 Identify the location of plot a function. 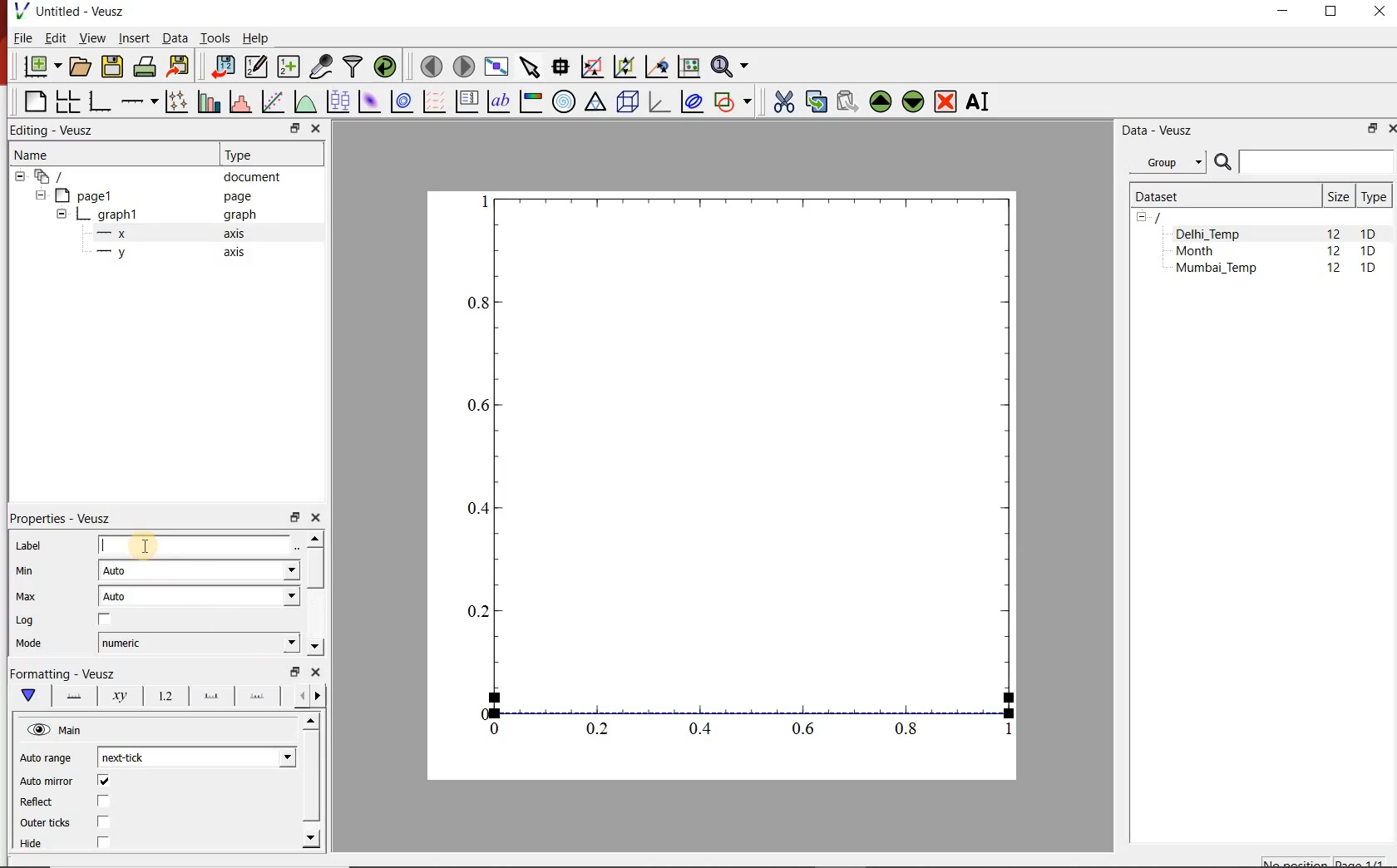
(305, 101).